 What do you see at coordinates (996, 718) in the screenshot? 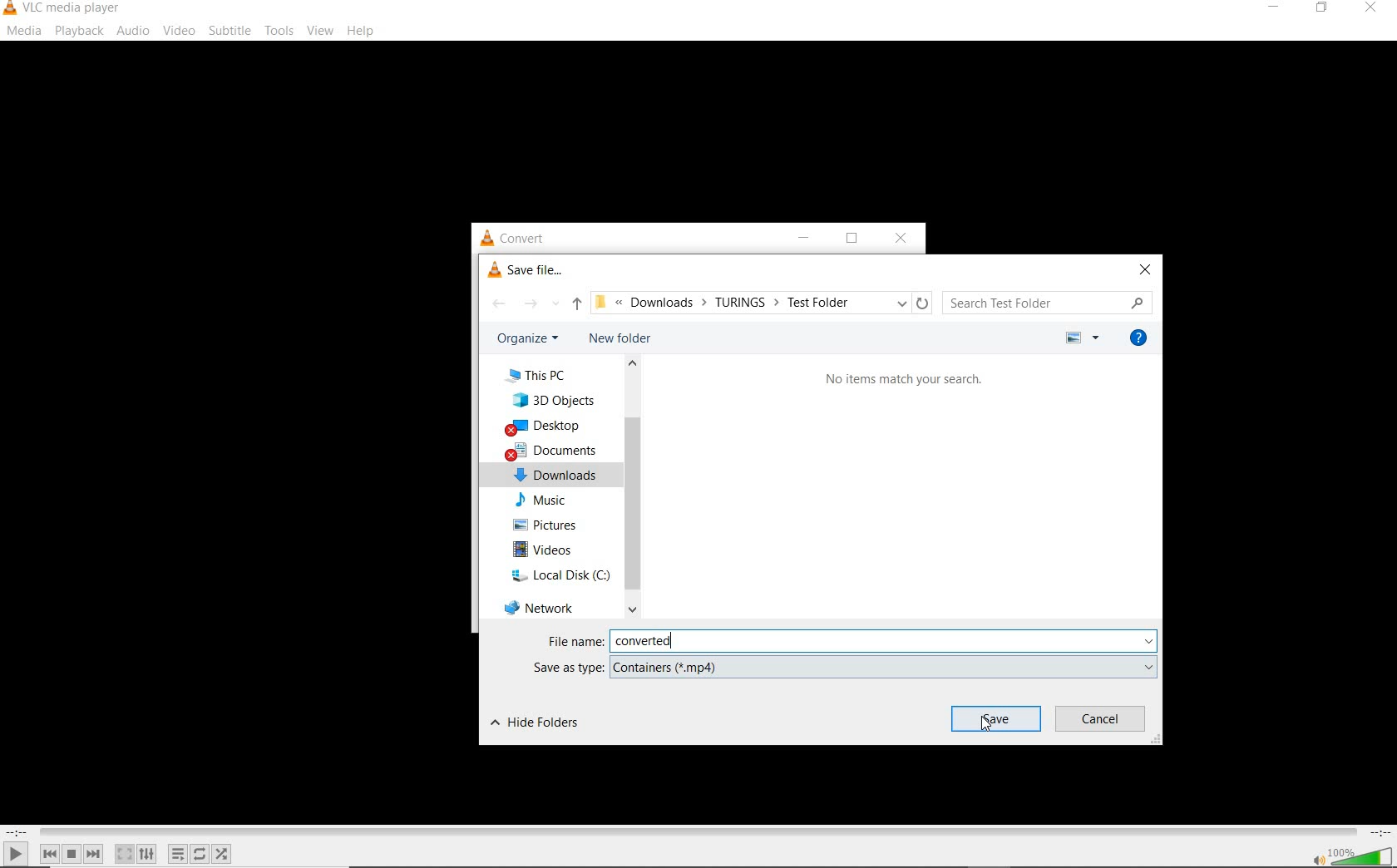
I see `save` at bounding box center [996, 718].